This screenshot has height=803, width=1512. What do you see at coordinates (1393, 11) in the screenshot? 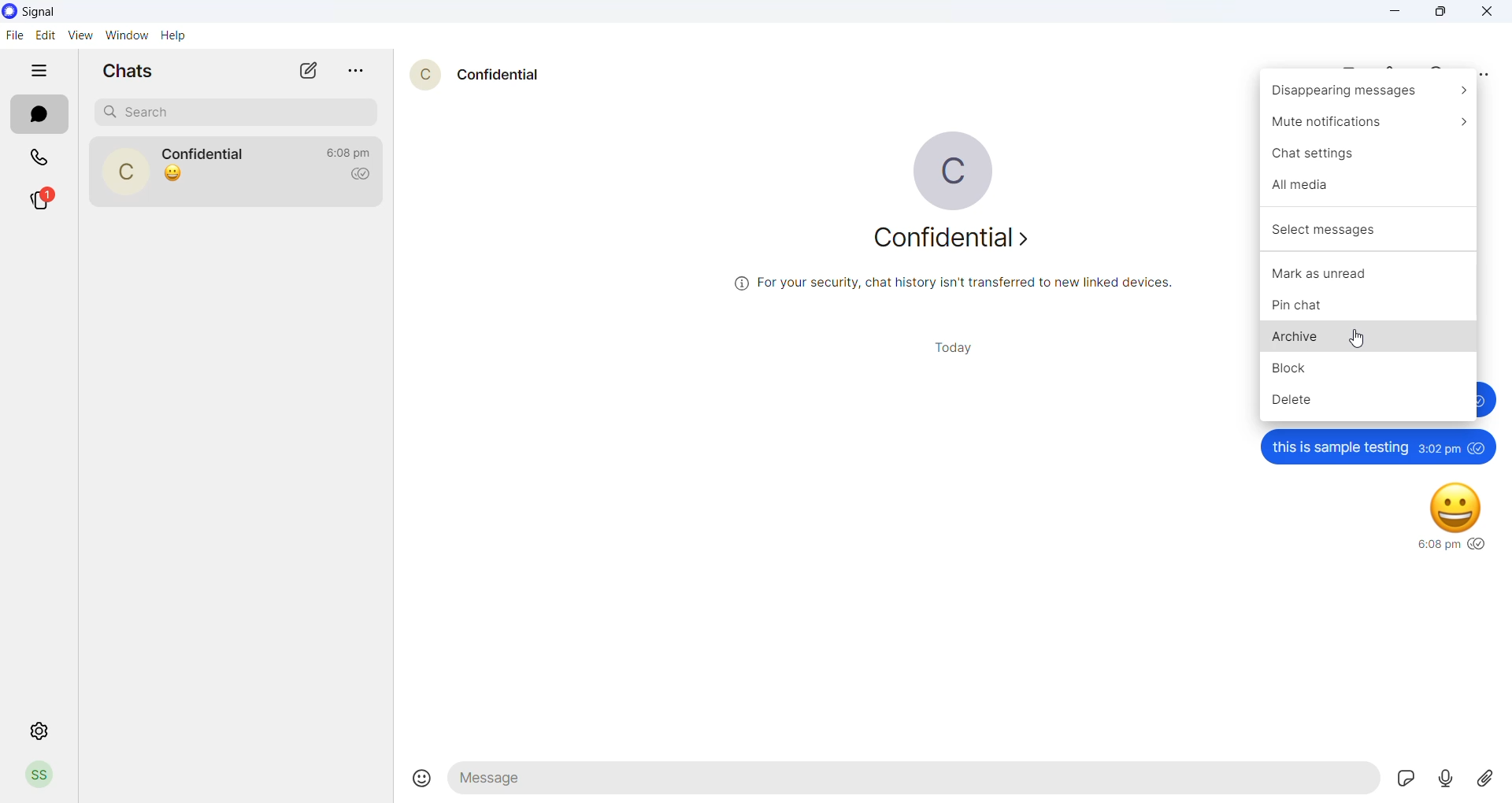
I see `minimize` at bounding box center [1393, 11].